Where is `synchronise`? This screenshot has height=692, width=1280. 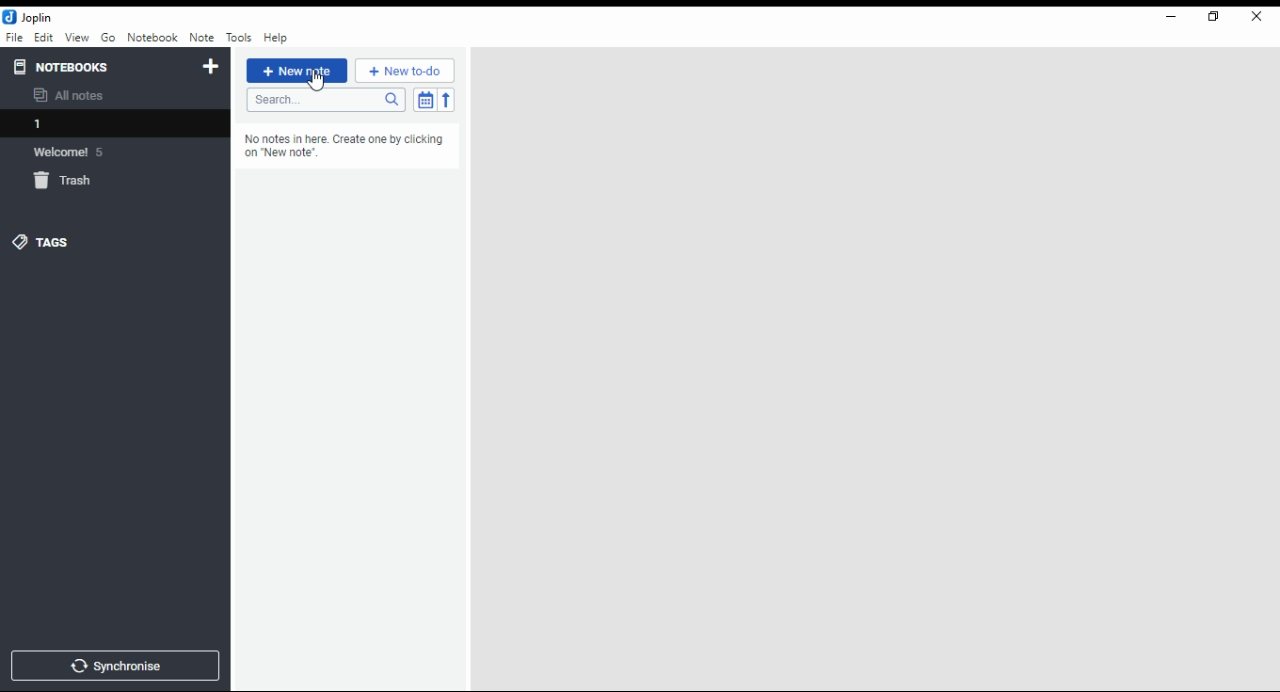 synchronise is located at coordinates (115, 666).